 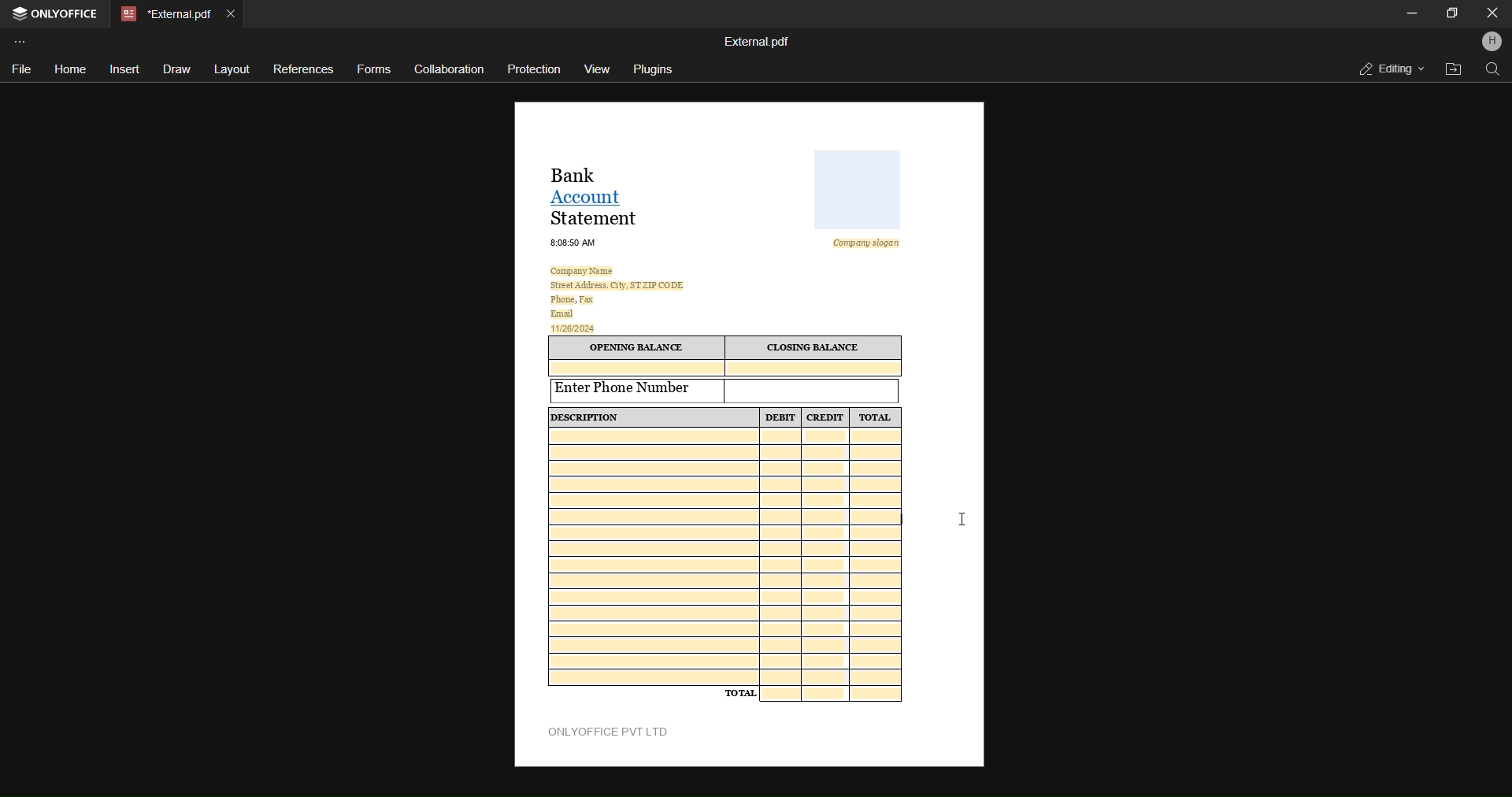 What do you see at coordinates (617, 285) in the screenshot?
I see `‘Street Address. City, ST ZIP CODE` at bounding box center [617, 285].